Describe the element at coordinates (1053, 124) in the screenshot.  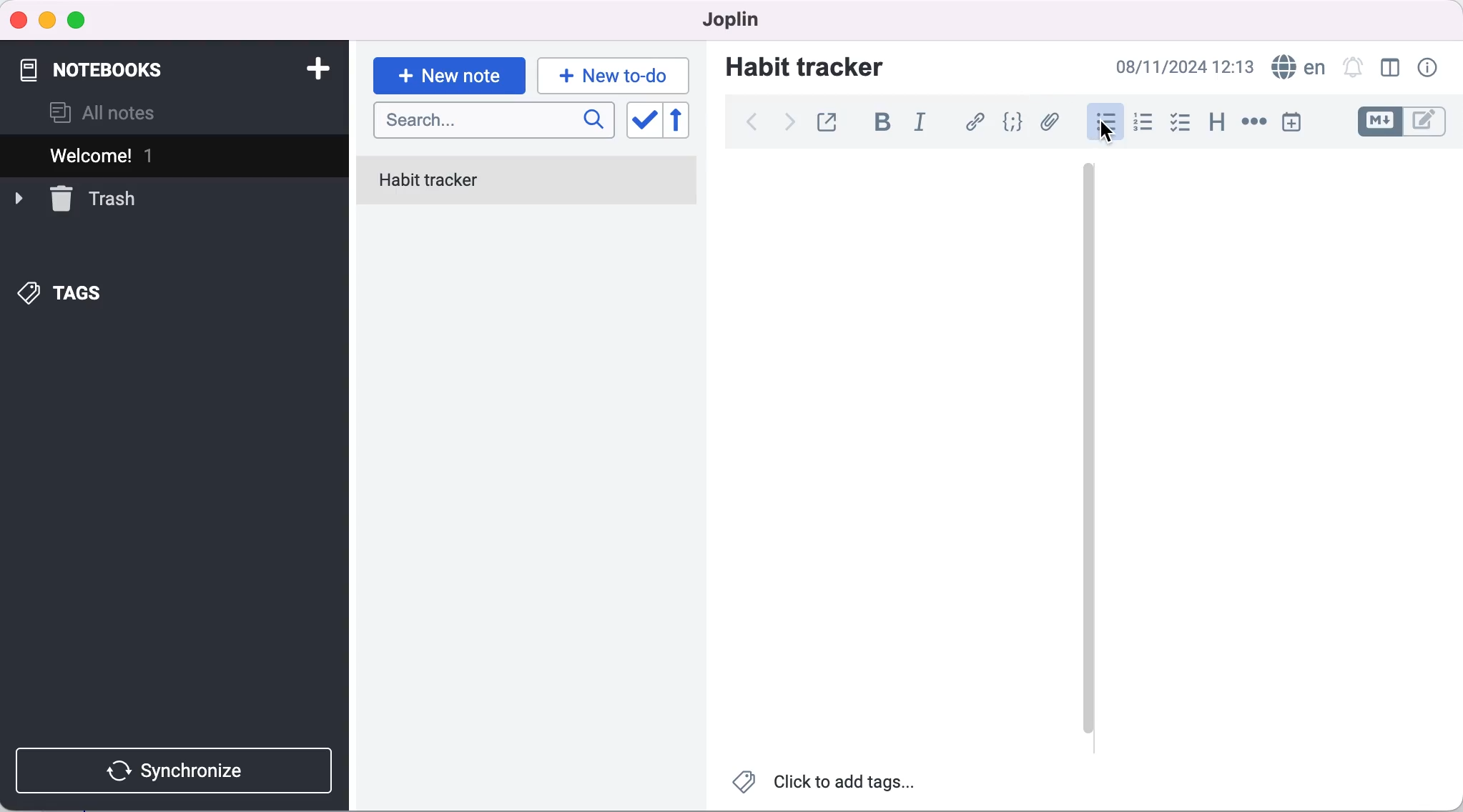
I see `add file` at that location.